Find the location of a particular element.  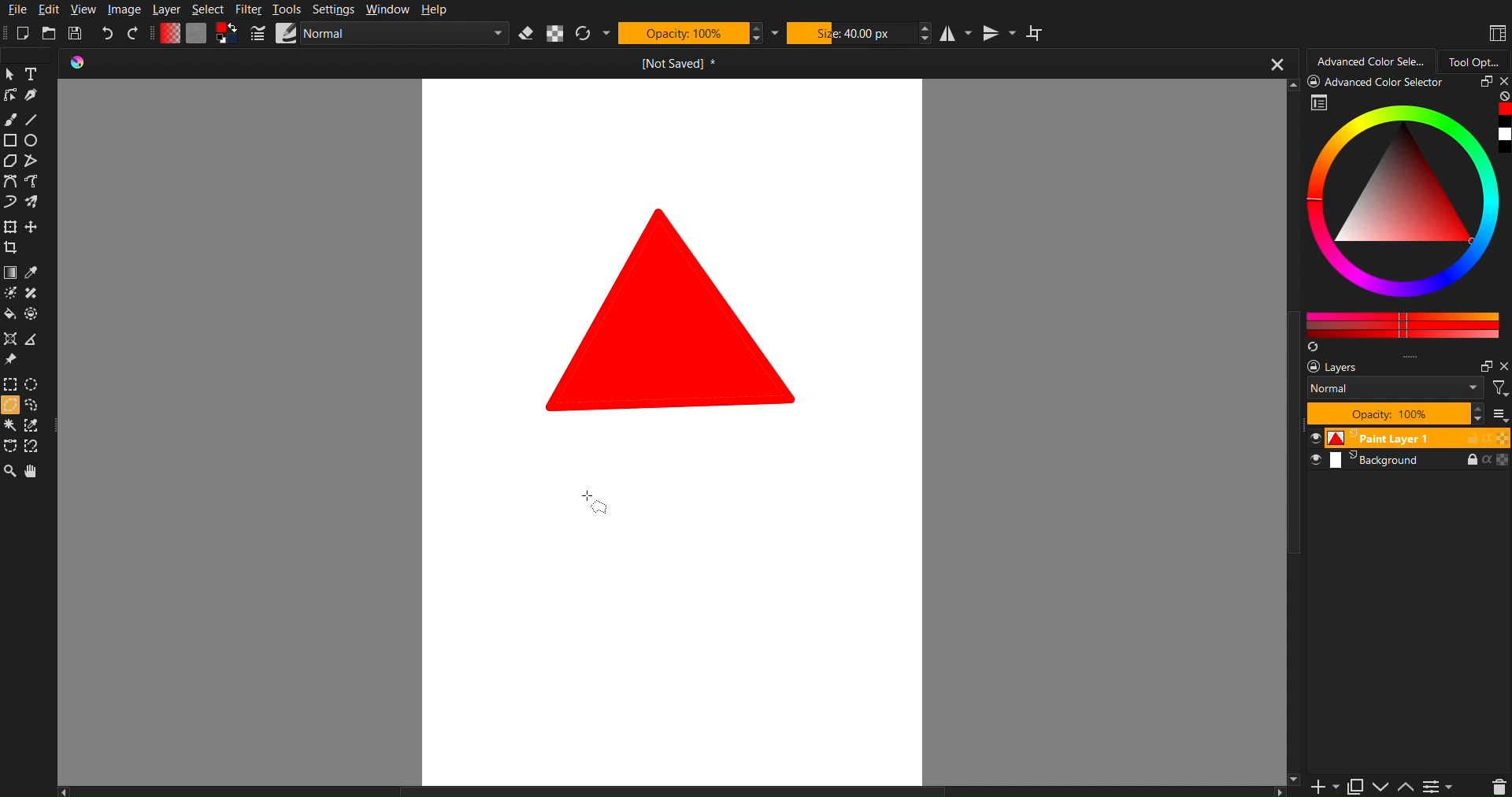

Filter is located at coordinates (250, 9).